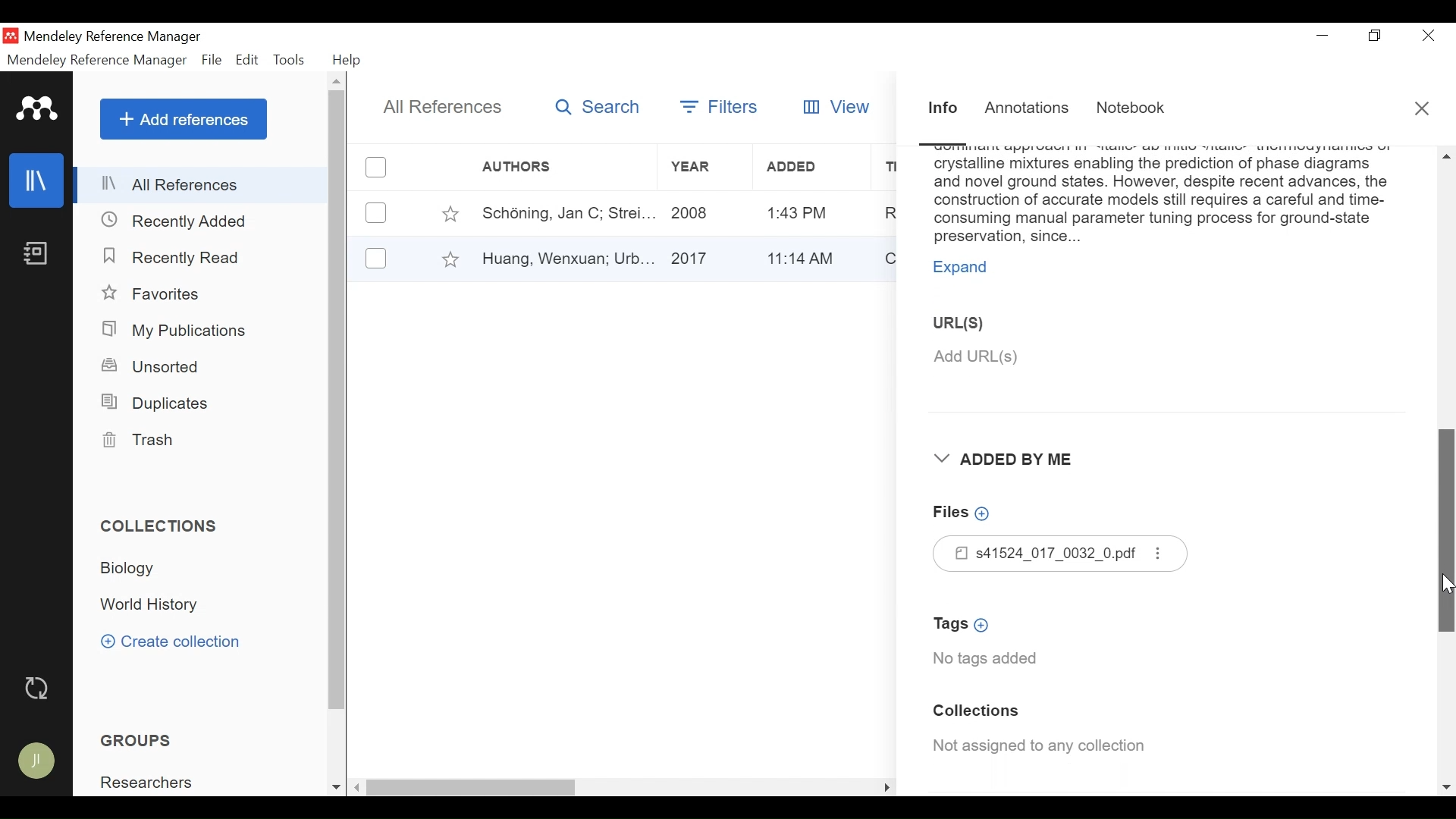 The height and width of the screenshot is (819, 1456). Describe the element at coordinates (156, 294) in the screenshot. I see `Favorites` at that location.